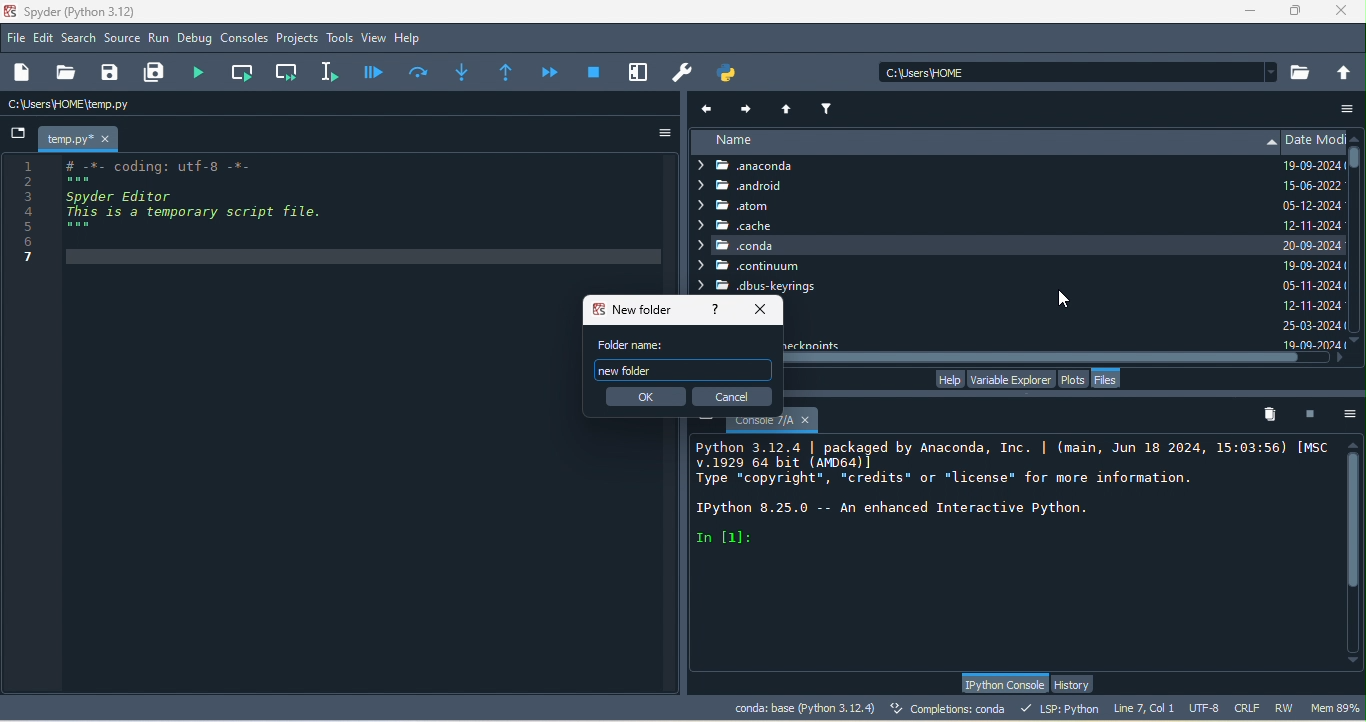 The width and height of the screenshot is (1366, 722). What do you see at coordinates (1249, 14) in the screenshot?
I see `minimize` at bounding box center [1249, 14].